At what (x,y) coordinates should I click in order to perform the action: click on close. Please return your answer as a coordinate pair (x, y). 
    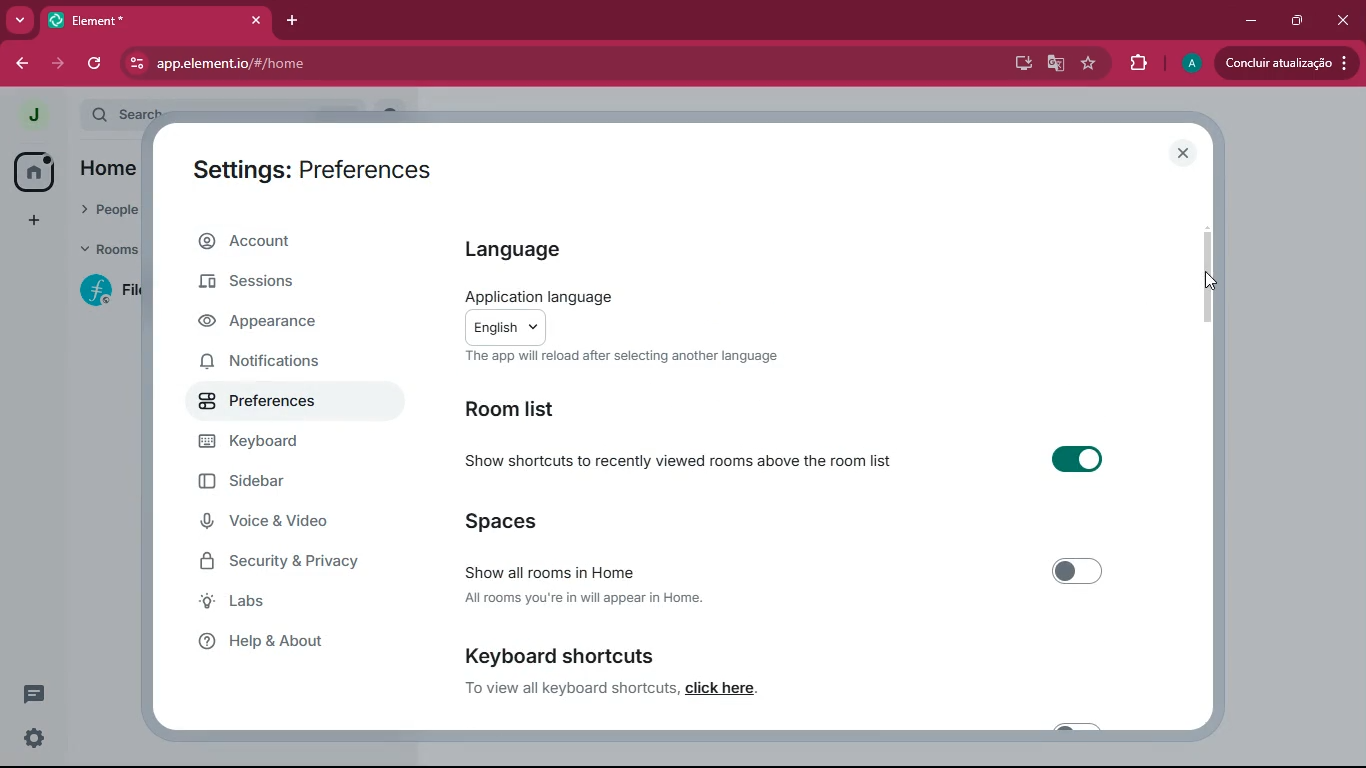
    Looking at the image, I should click on (1342, 18).